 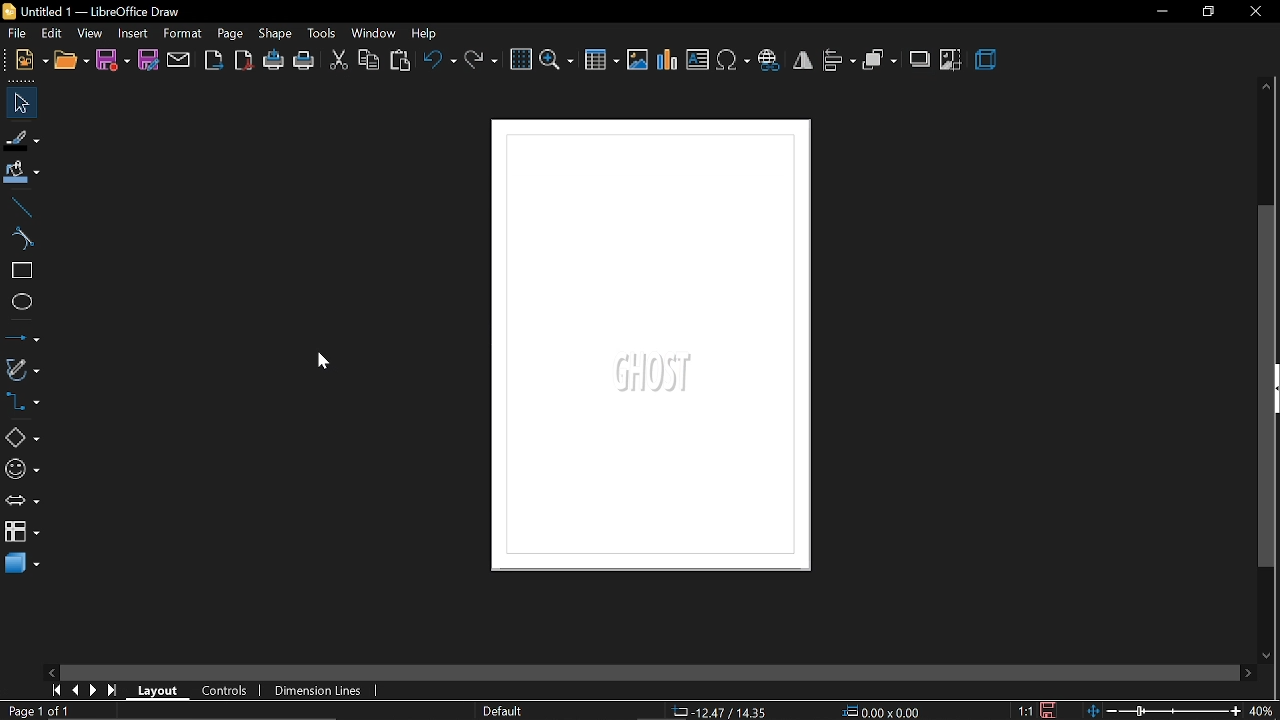 I want to click on libreoffice draw logo, so click(x=9, y=10).